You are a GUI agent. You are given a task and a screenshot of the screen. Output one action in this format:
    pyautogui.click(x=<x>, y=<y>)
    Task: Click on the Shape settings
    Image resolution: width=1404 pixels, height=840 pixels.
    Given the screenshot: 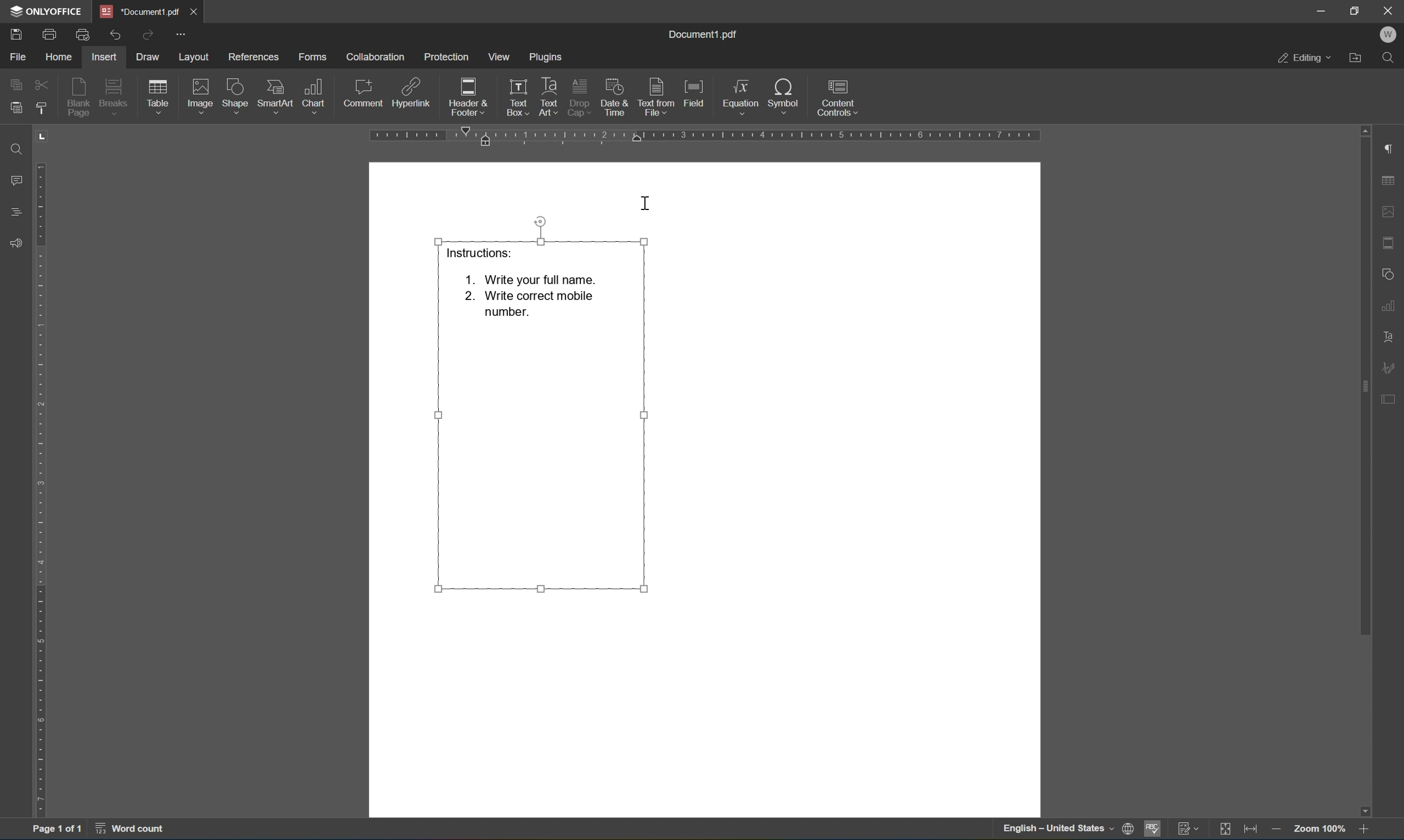 What is the action you would take?
    pyautogui.click(x=1389, y=273)
    